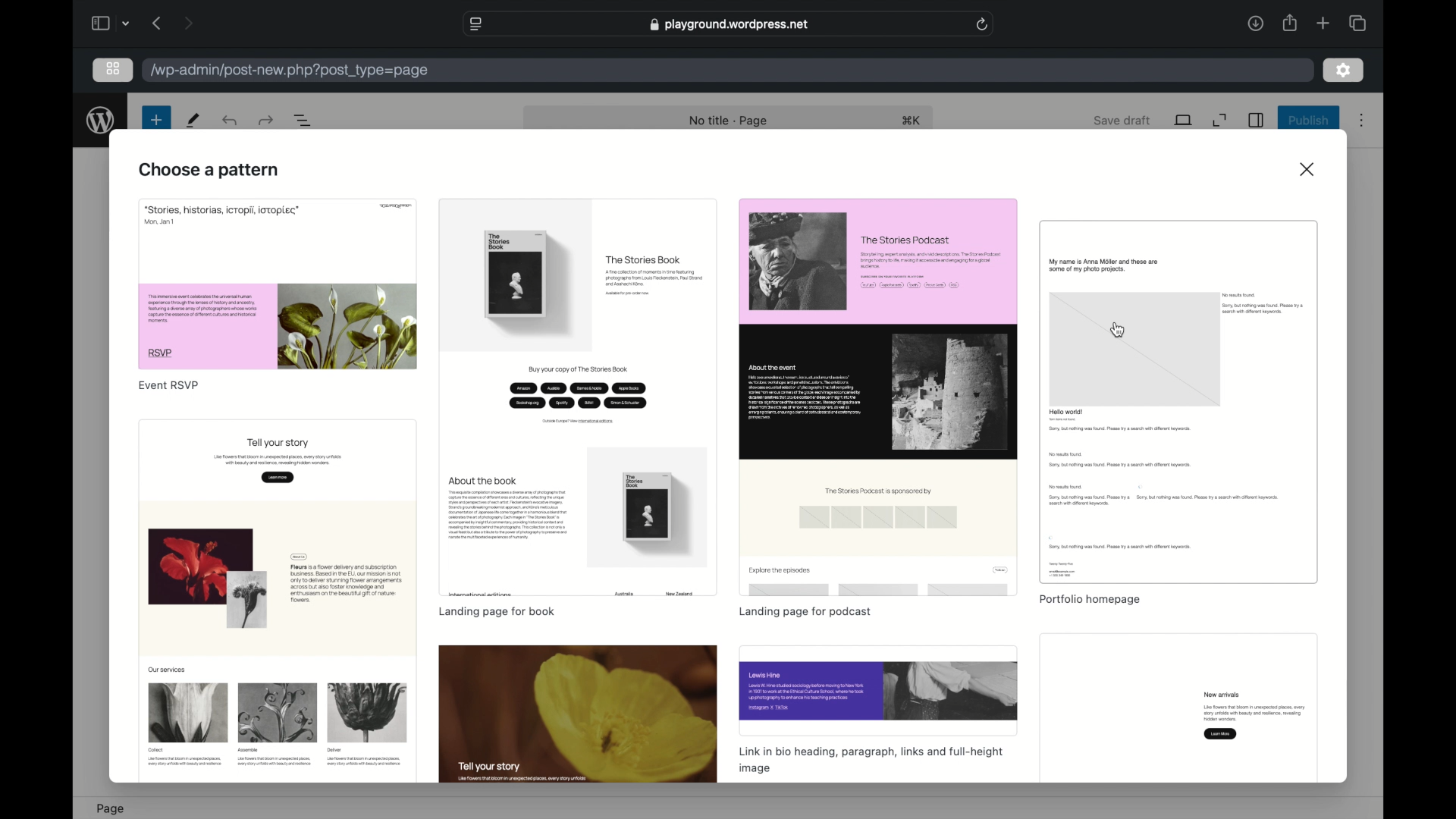 The height and width of the screenshot is (819, 1456). What do you see at coordinates (303, 121) in the screenshot?
I see `document overview` at bounding box center [303, 121].